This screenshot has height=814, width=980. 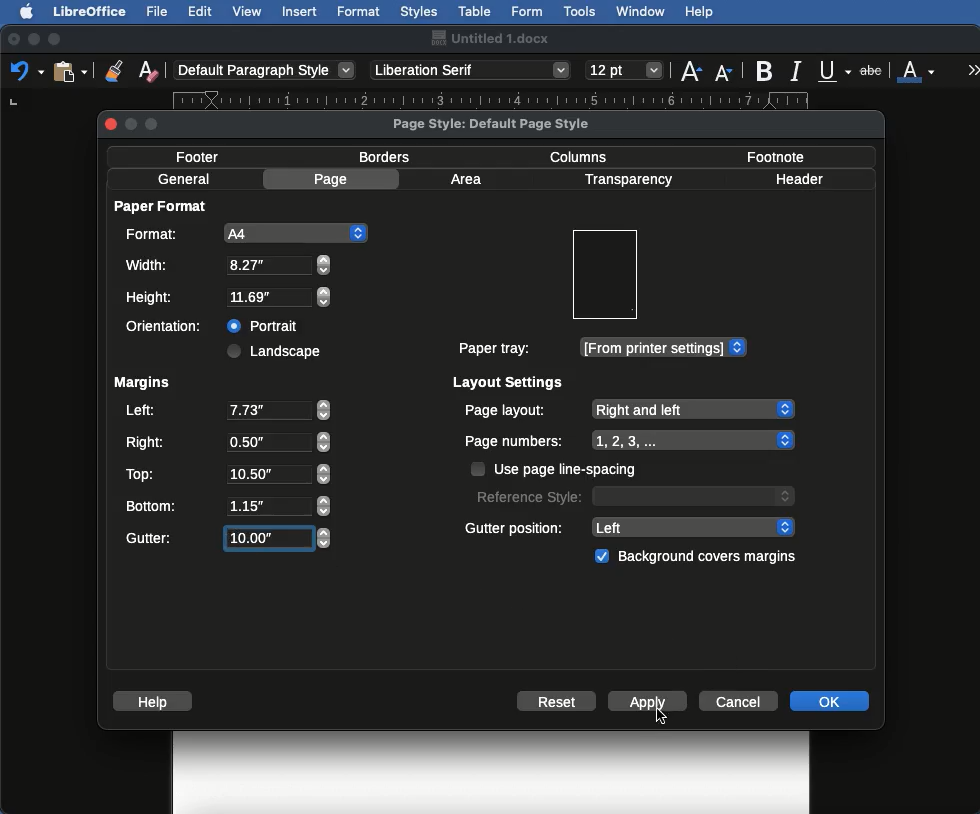 What do you see at coordinates (300, 11) in the screenshot?
I see `Insert` at bounding box center [300, 11].